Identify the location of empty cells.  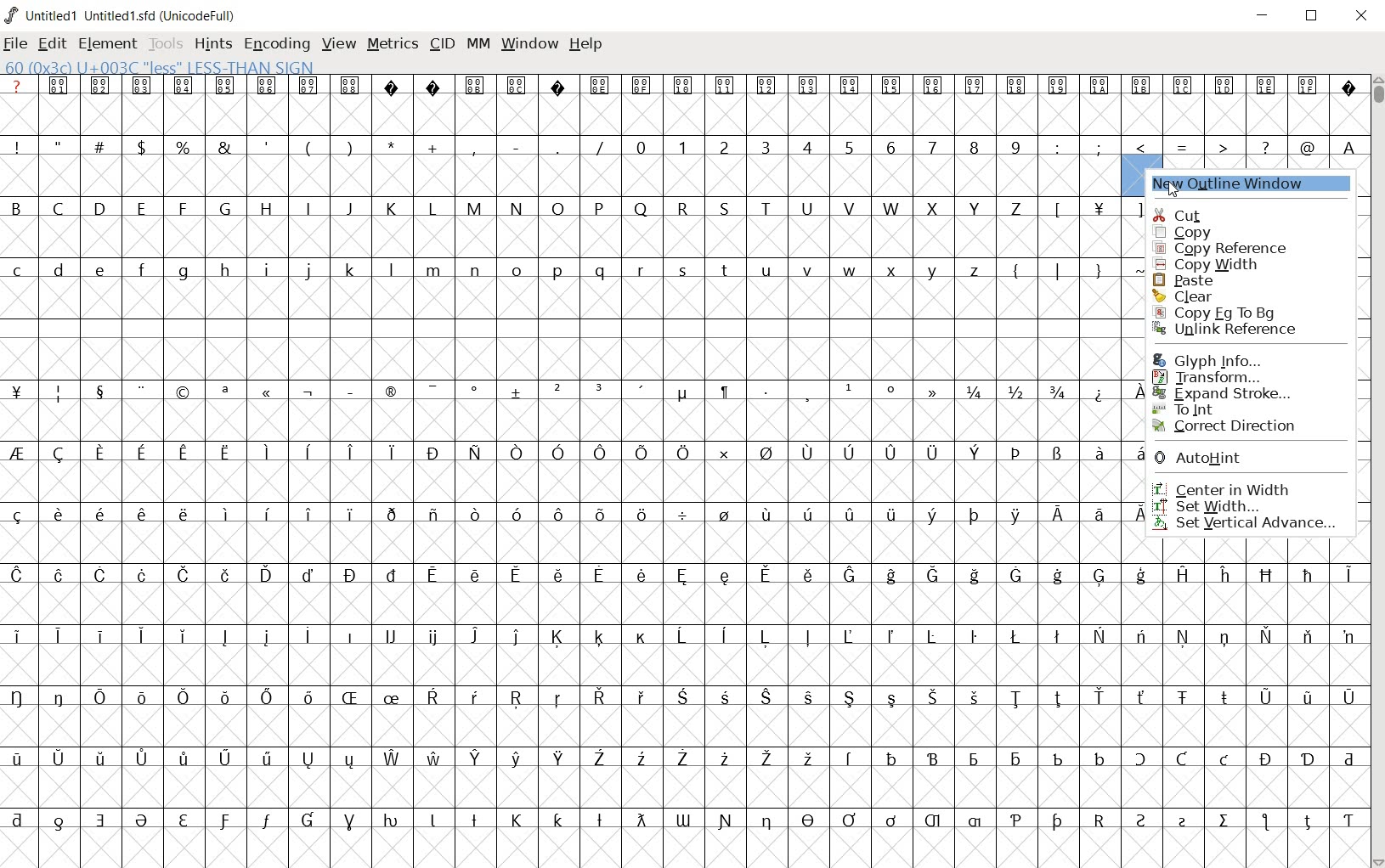
(684, 786).